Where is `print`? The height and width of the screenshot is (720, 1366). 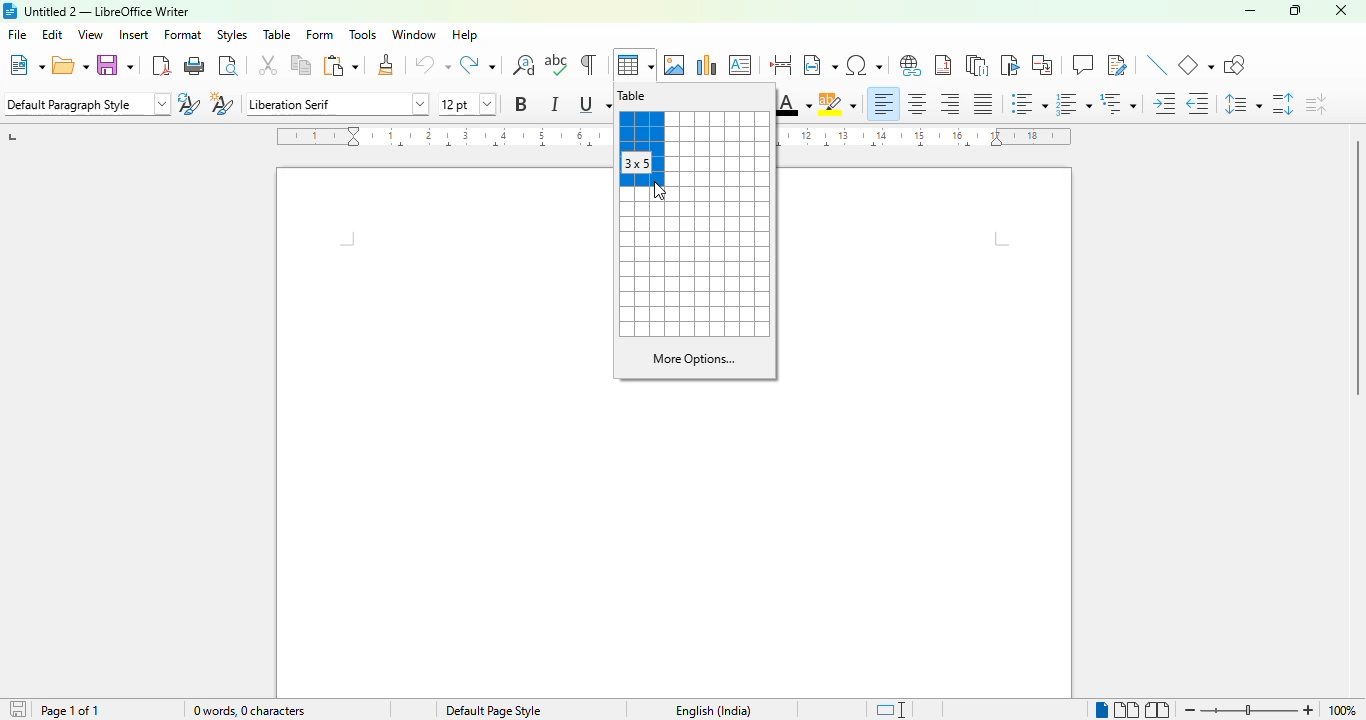
print is located at coordinates (196, 65).